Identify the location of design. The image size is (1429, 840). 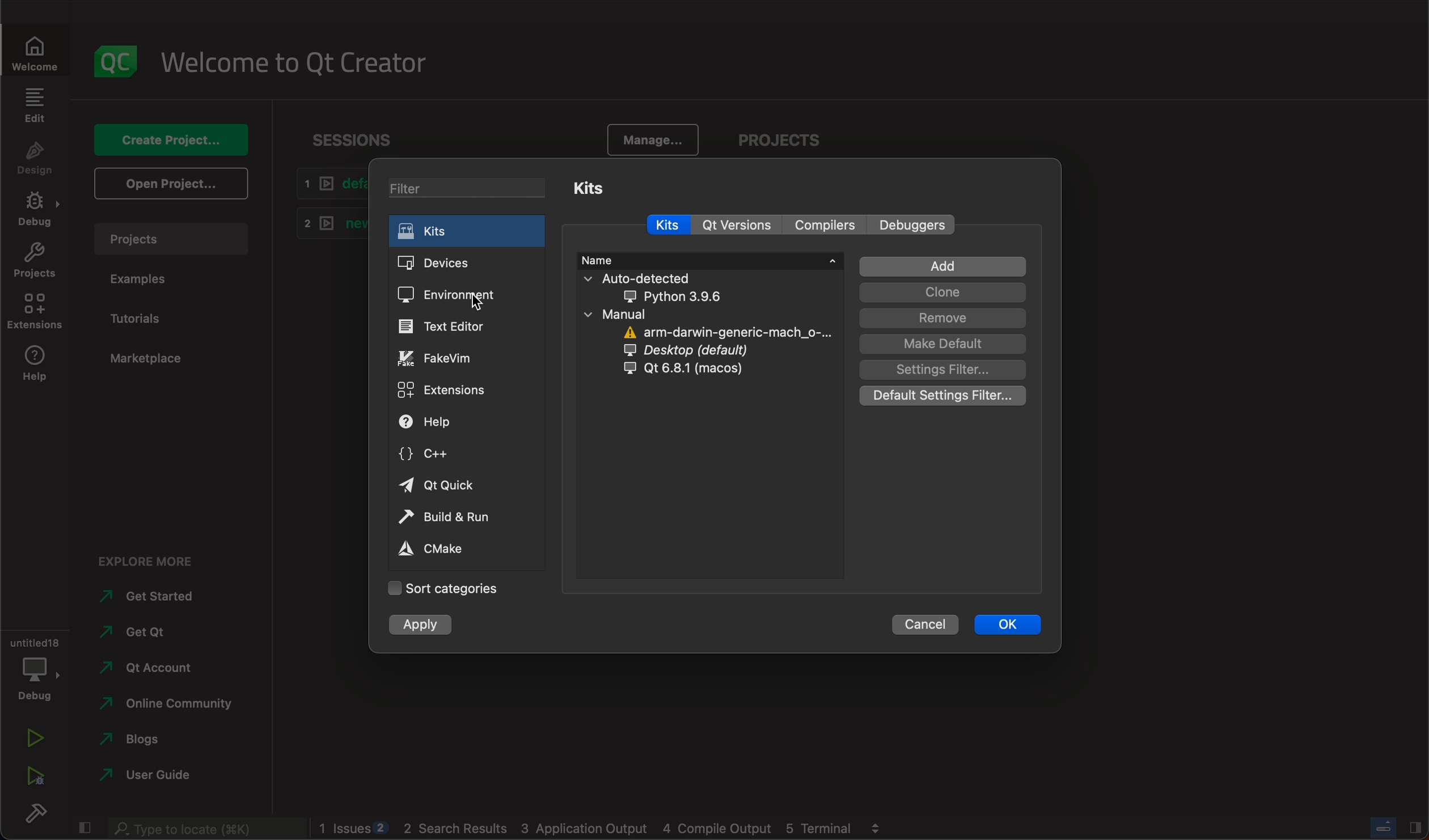
(35, 160).